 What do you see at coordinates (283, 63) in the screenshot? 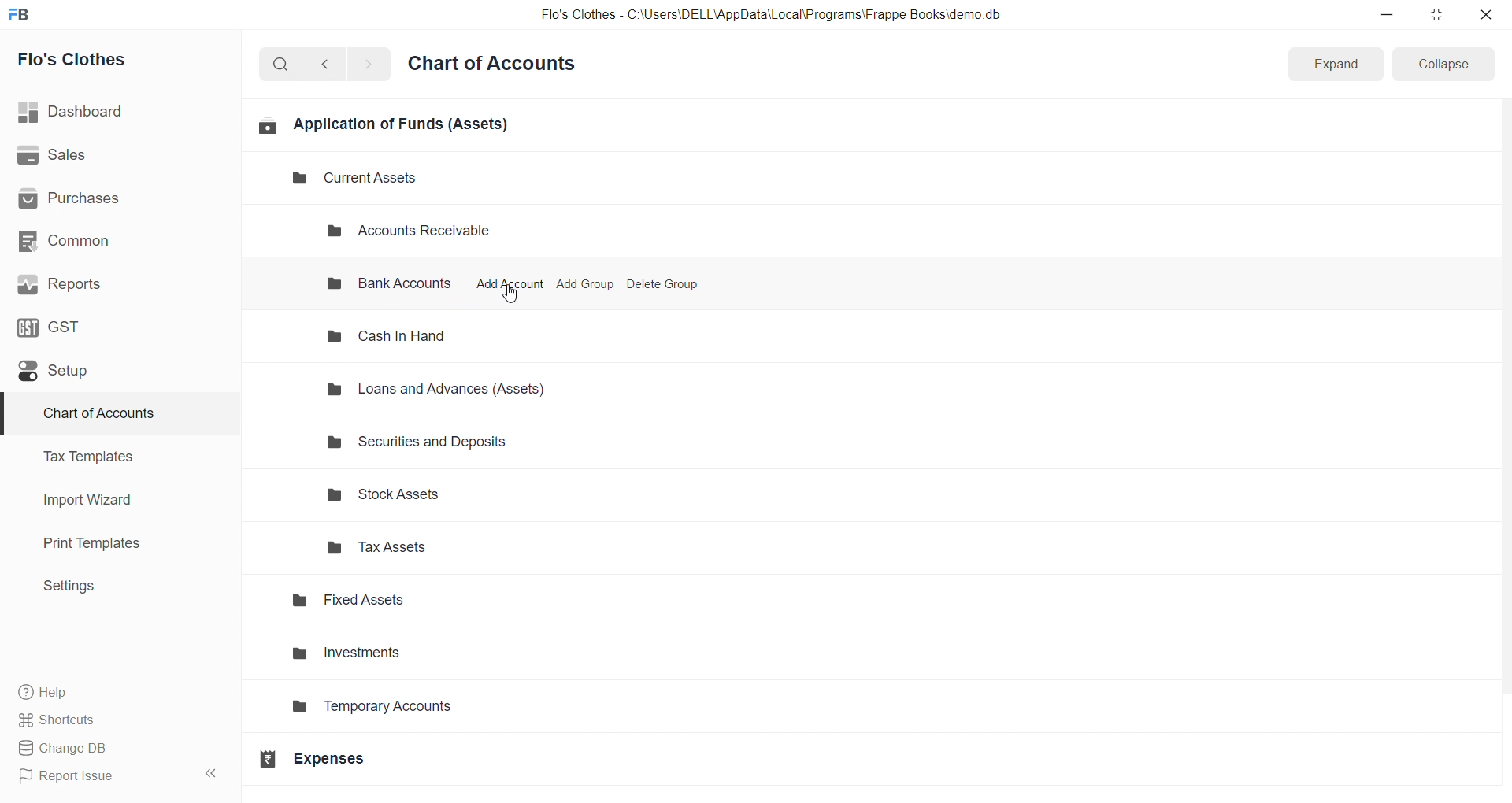
I see `search` at bounding box center [283, 63].